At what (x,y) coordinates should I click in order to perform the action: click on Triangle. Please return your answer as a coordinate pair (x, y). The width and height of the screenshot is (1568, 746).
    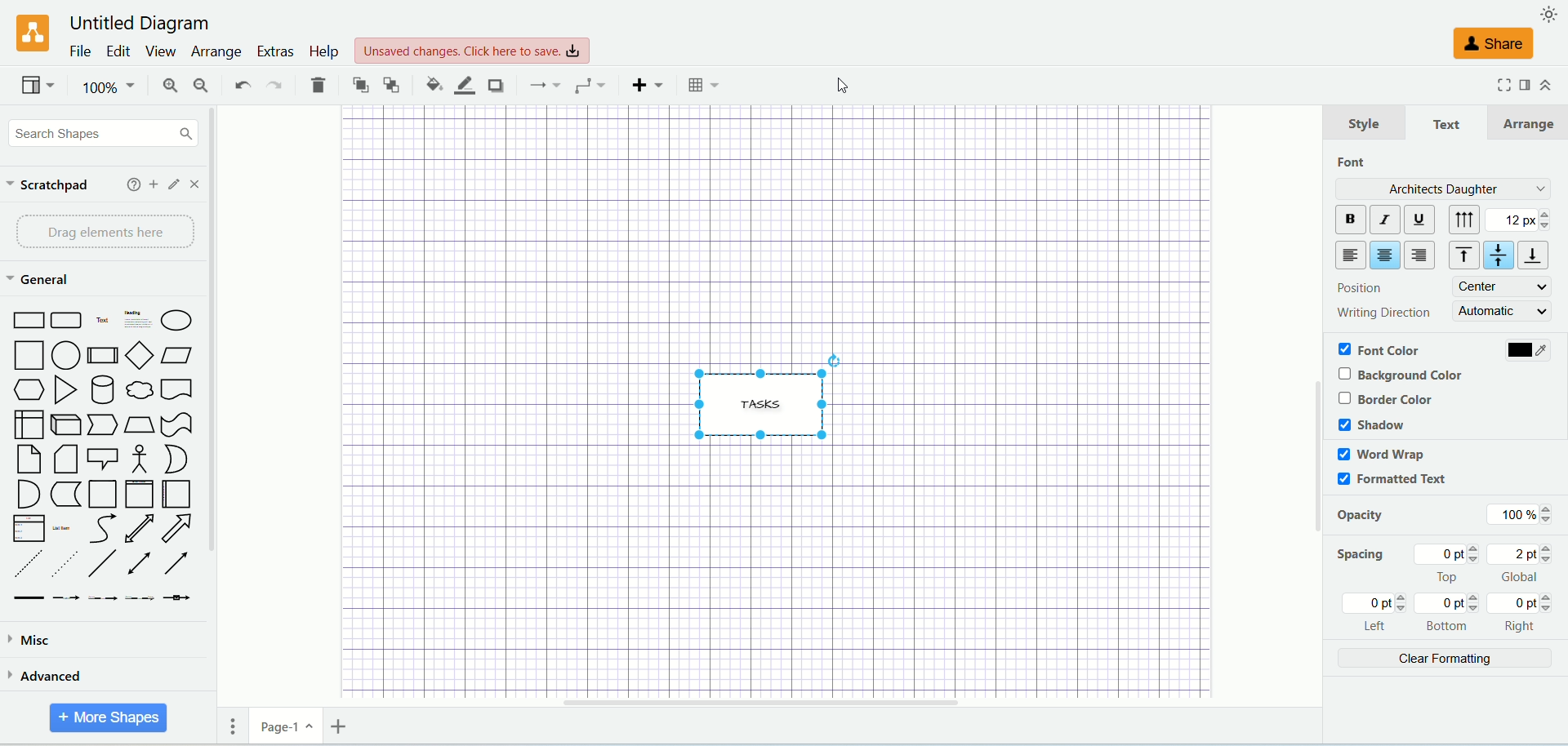
    Looking at the image, I should click on (65, 390).